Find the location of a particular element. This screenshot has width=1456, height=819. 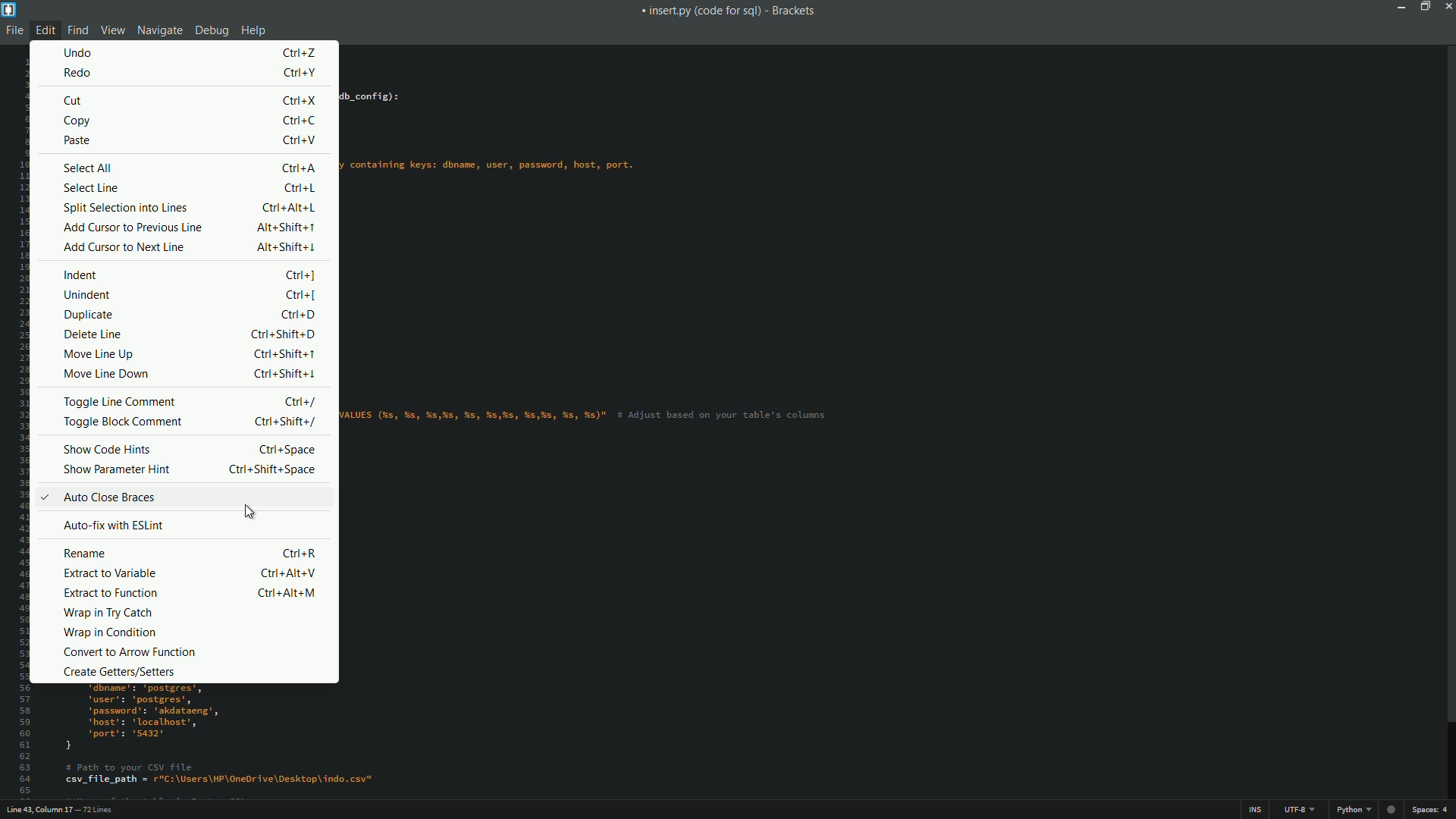

toggle block comment is located at coordinates (121, 422).